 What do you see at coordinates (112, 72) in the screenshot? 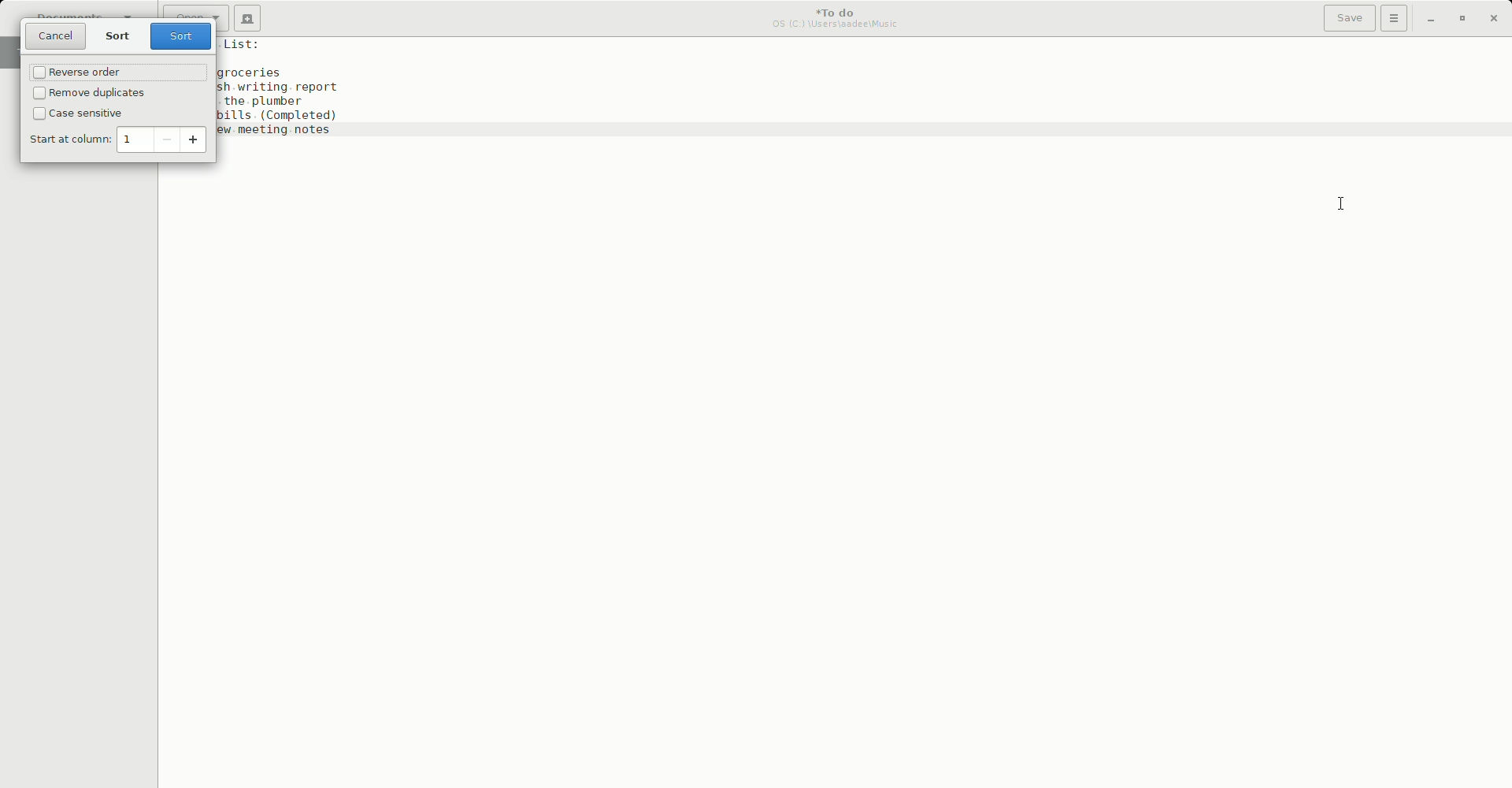
I see `Reverse ` at bounding box center [112, 72].